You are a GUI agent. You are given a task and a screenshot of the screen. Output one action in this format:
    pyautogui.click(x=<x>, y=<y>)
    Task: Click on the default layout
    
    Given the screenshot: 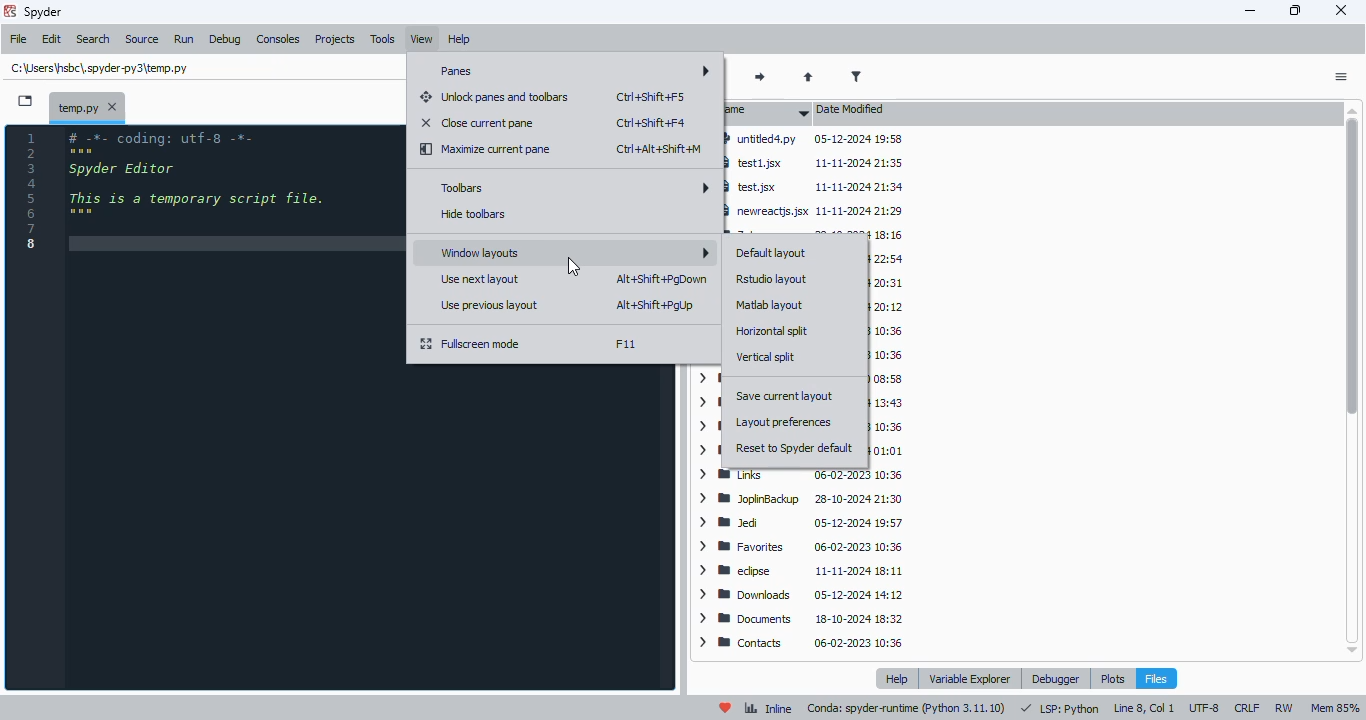 What is the action you would take?
    pyautogui.click(x=773, y=253)
    